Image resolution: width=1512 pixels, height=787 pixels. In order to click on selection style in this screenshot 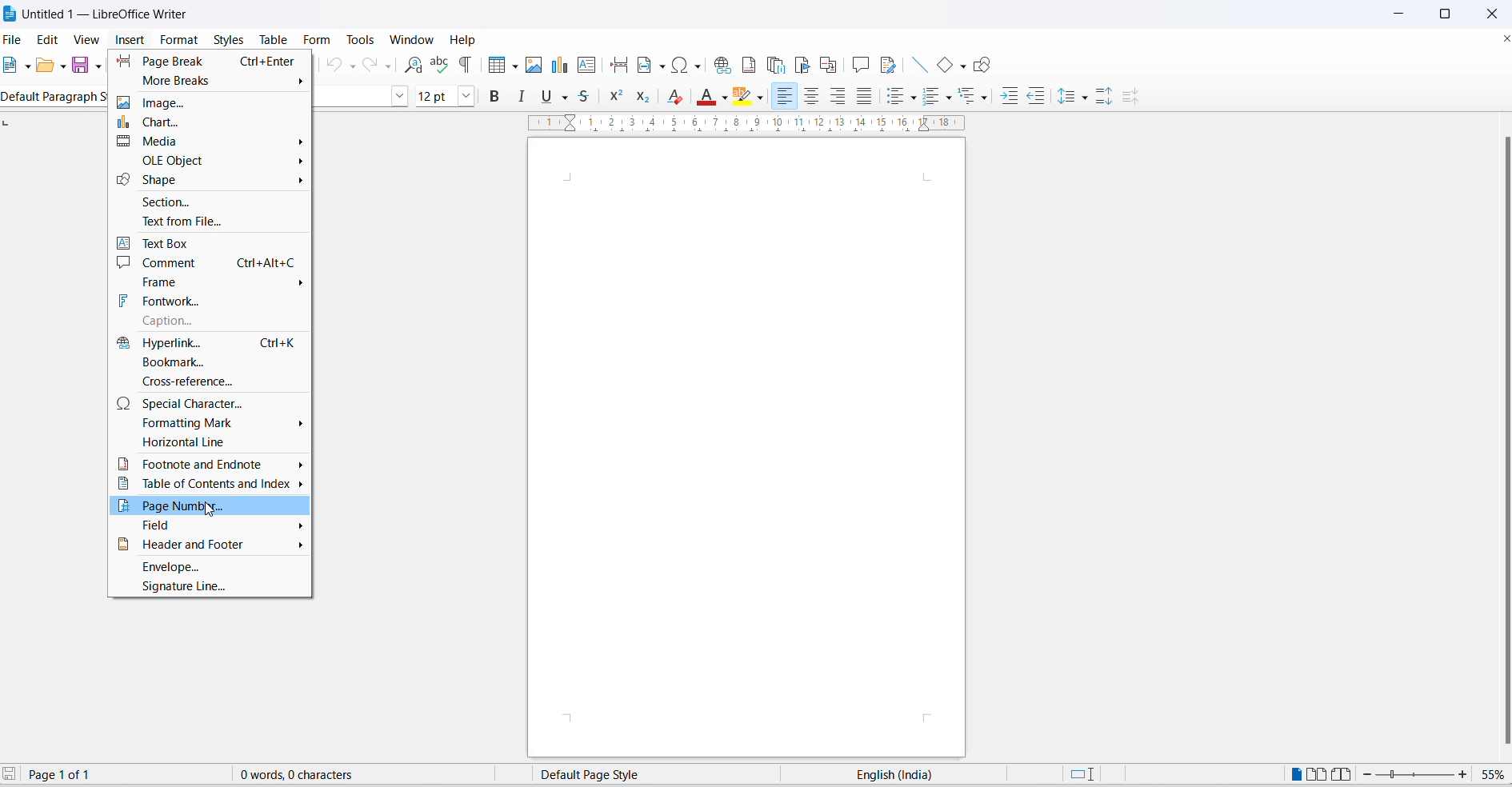, I will do `click(1080, 775)`.